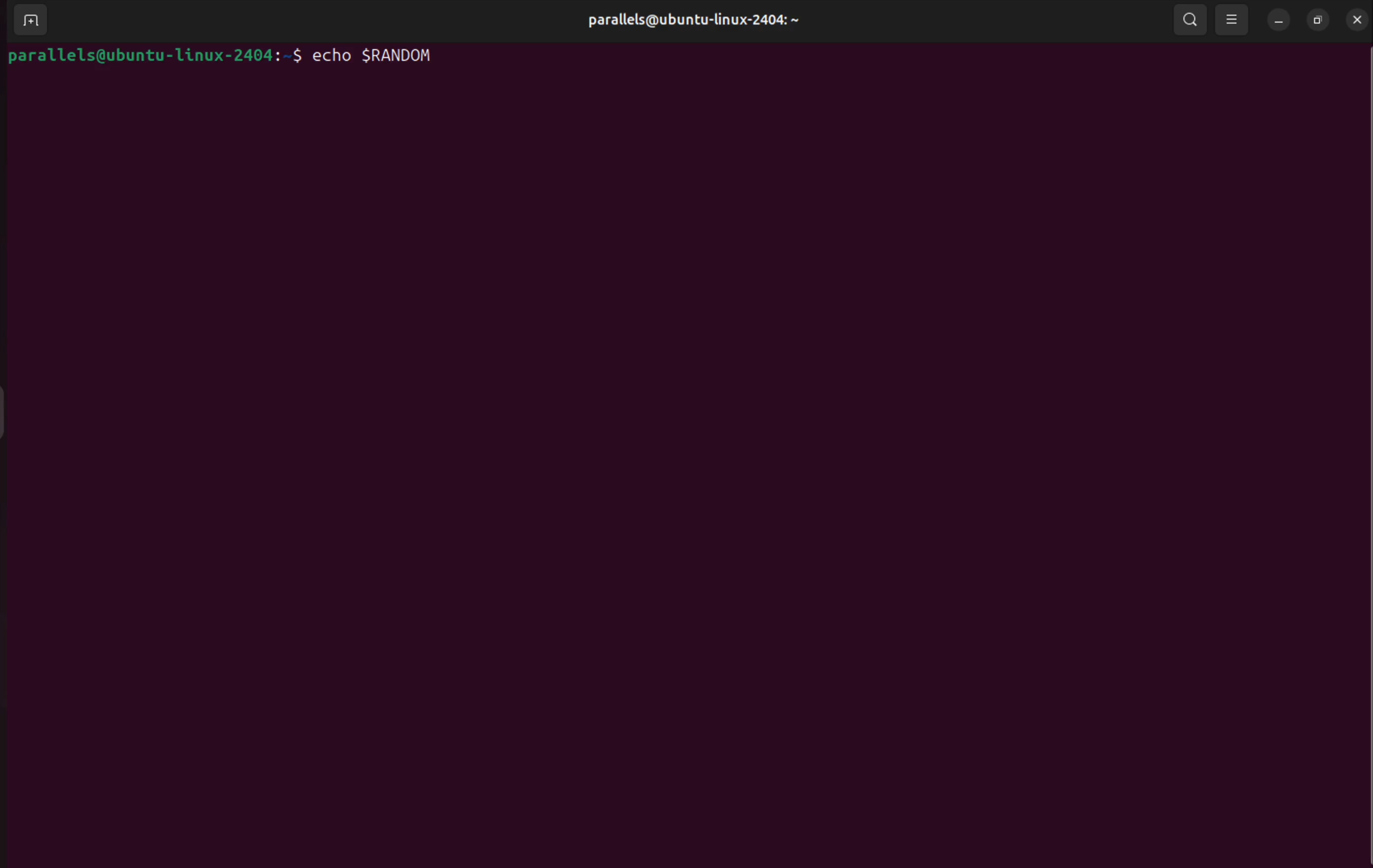  Describe the element at coordinates (30, 21) in the screenshot. I see `add terminal` at that location.